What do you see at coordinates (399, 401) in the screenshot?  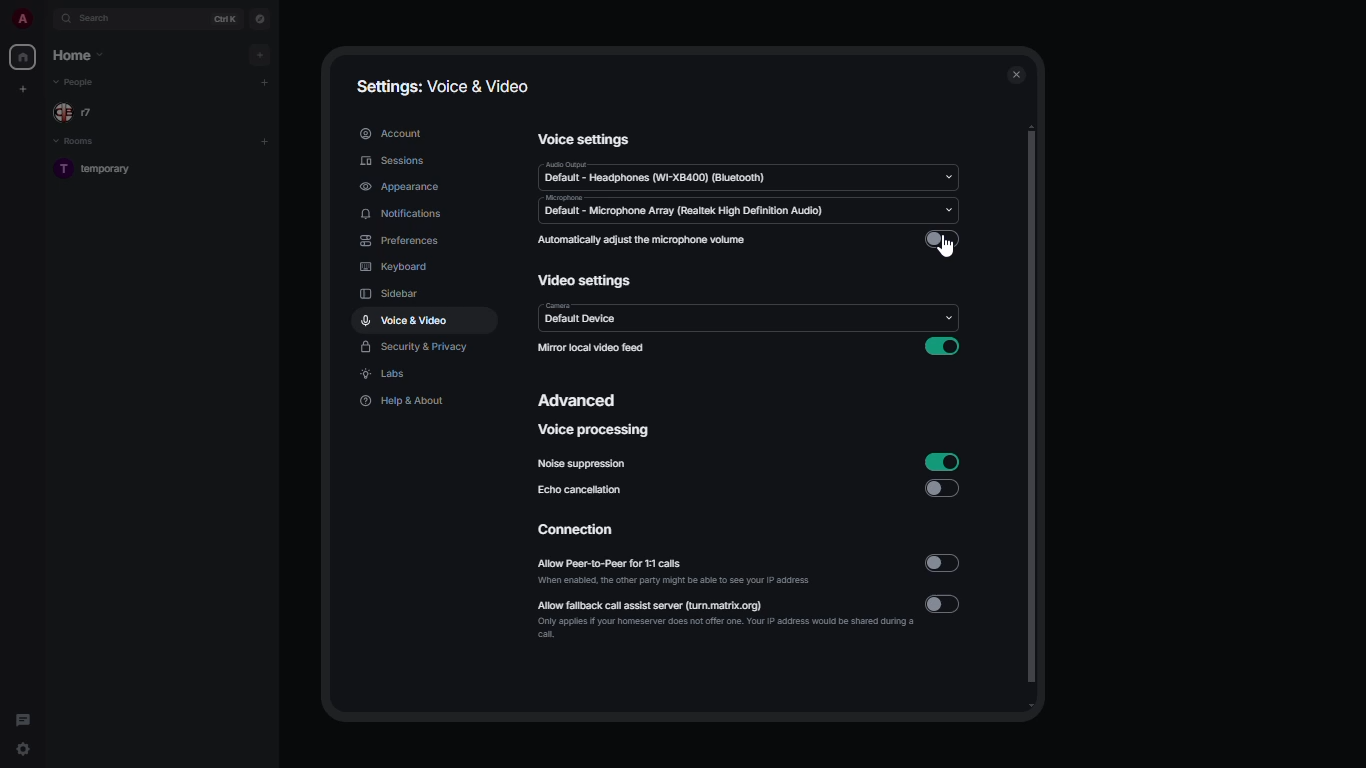 I see `help & about` at bounding box center [399, 401].